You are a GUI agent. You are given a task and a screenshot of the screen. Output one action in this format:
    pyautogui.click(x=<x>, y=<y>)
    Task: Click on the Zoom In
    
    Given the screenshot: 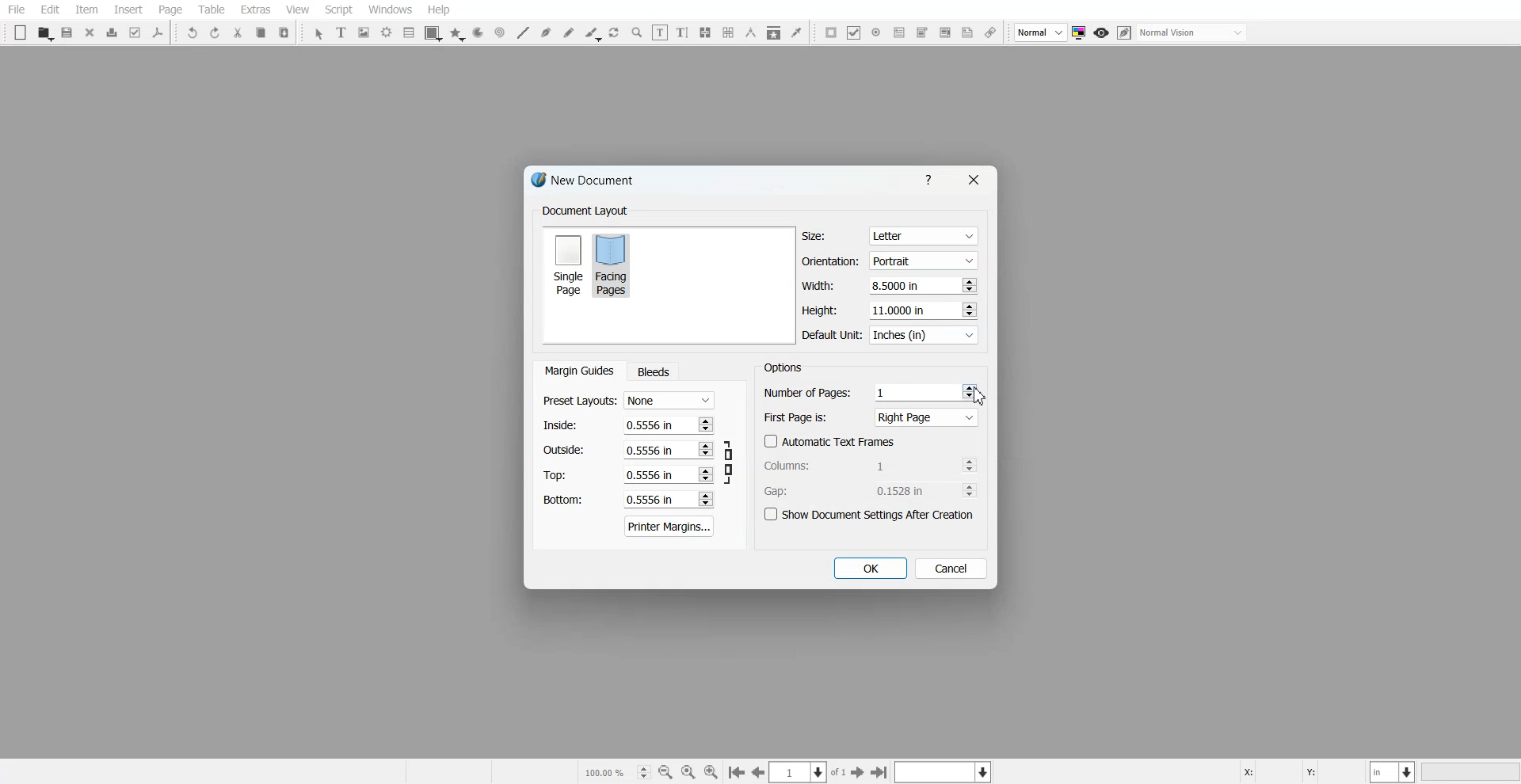 What is the action you would take?
    pyautogui.click(x=711, y=771)
    